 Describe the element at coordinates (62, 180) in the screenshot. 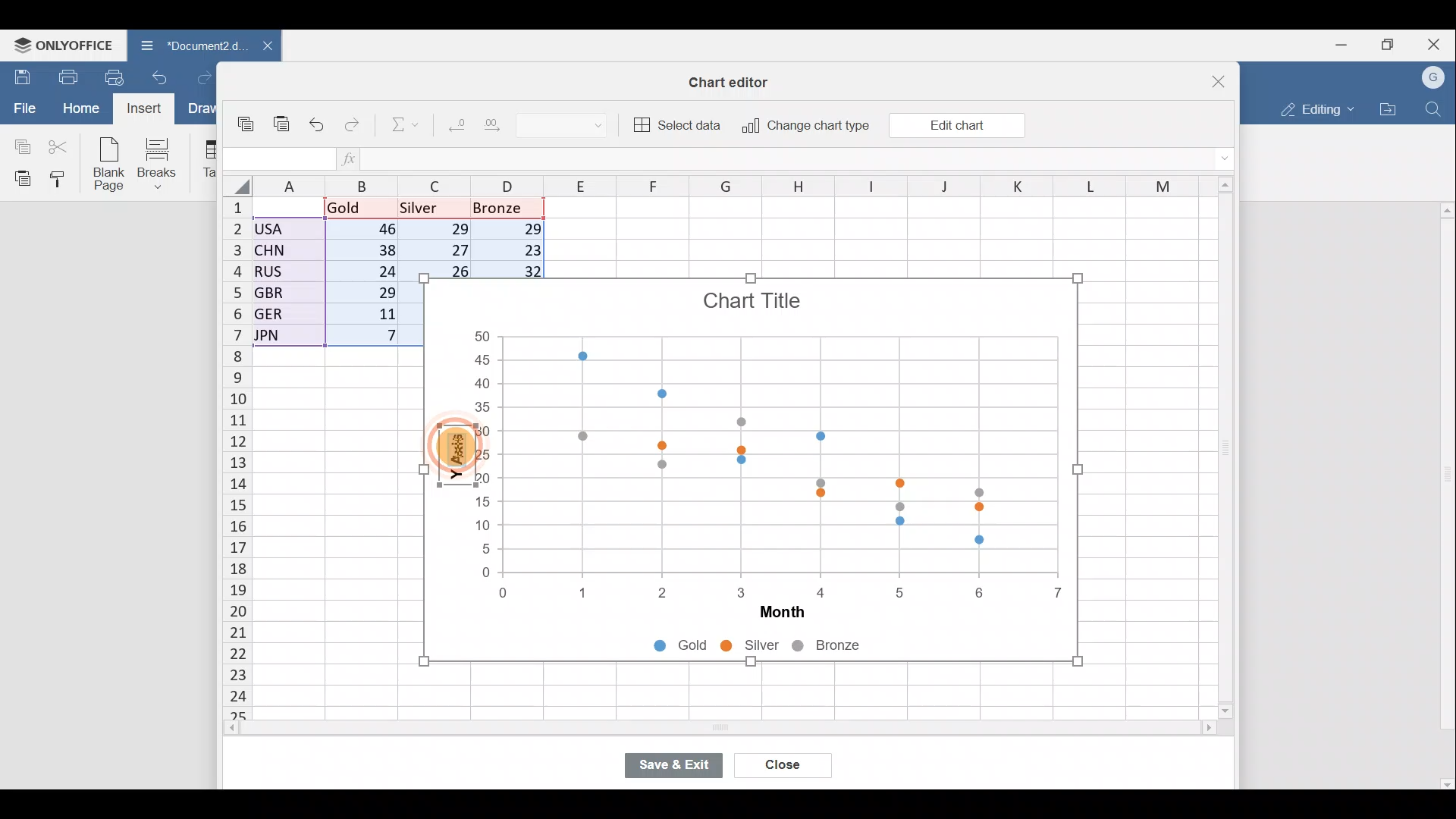

I see `Copy style` at that location.